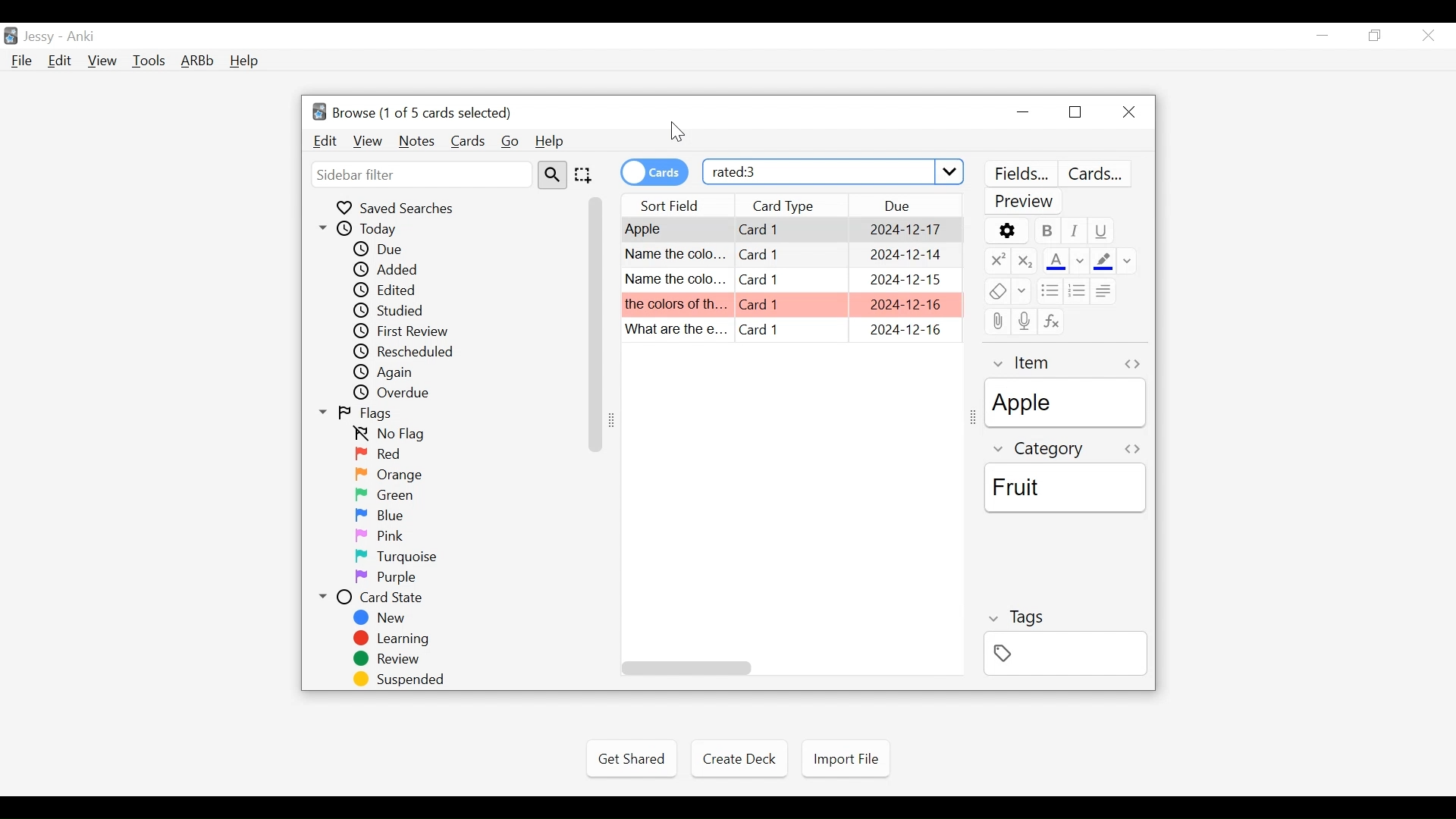  What do you see at coordinates (1065, 403) in the screenshot?
I see `Item Field` at bounding box center [1065, 403].